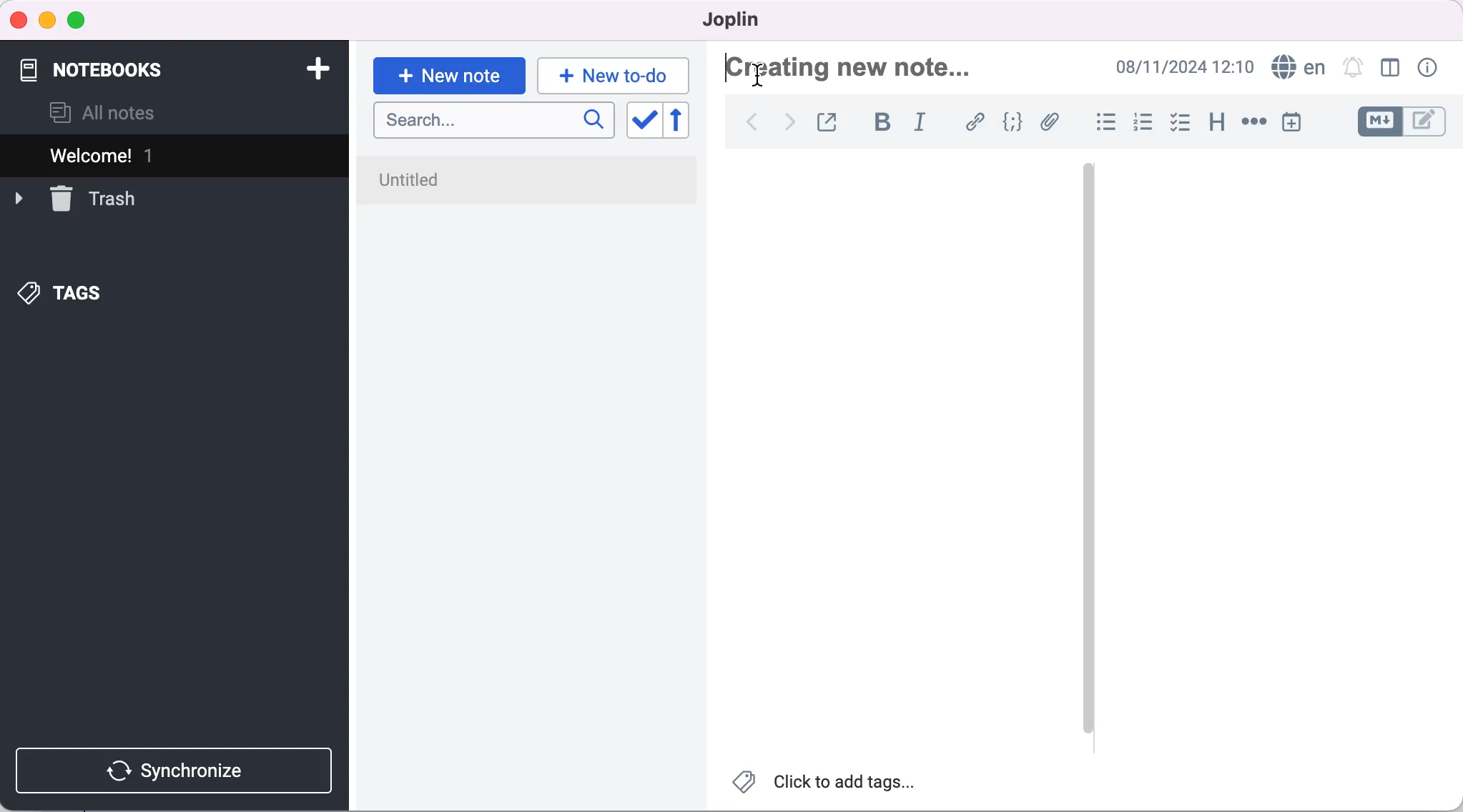 This screenshot has height=812, width=1463. Describe the element at coordinates (1049, 122) in the screenshot. I see `attach file` at that location.